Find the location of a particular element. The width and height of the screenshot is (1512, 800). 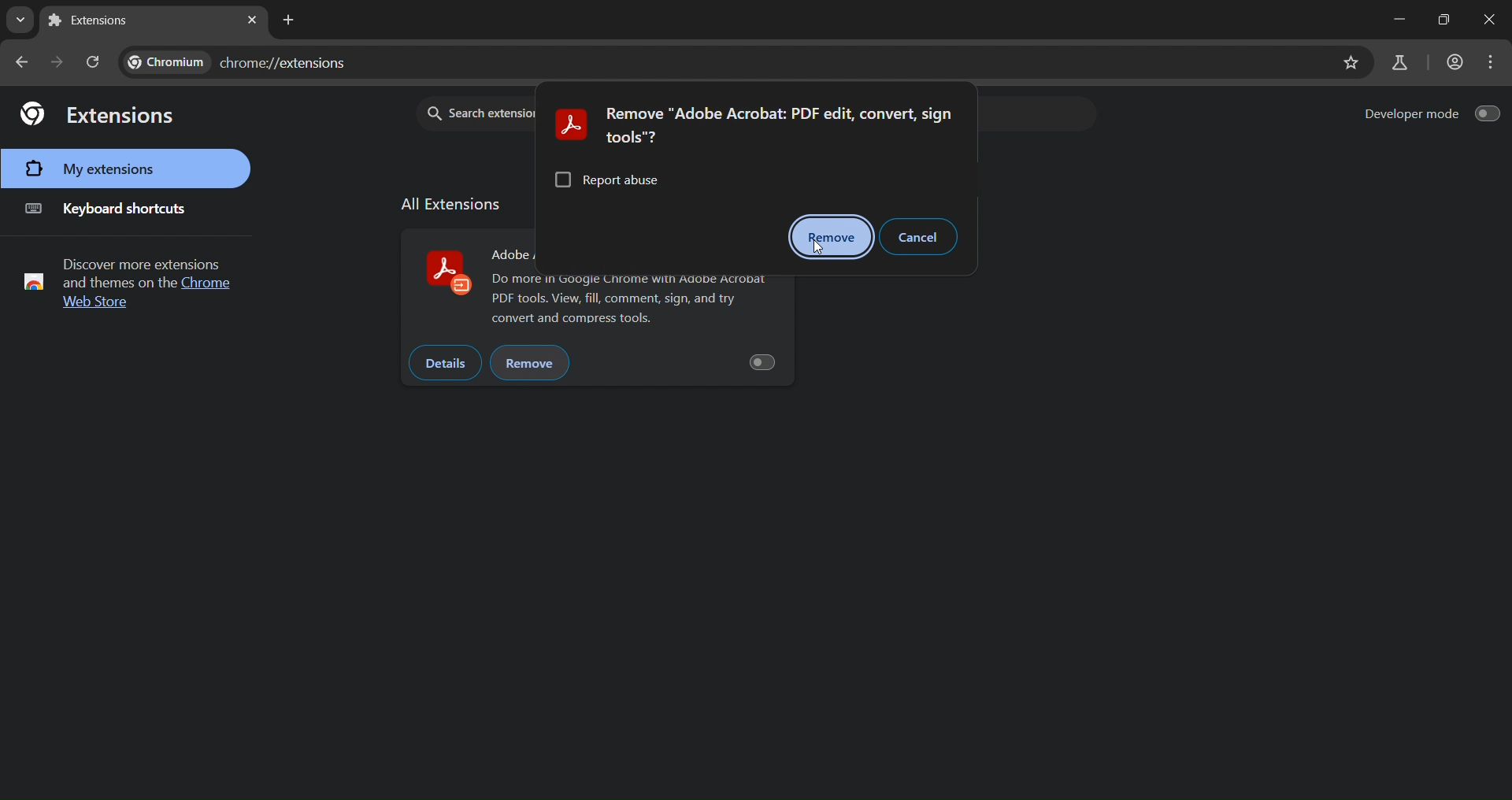

chromw://extensions is located at coordinates (243, 61).